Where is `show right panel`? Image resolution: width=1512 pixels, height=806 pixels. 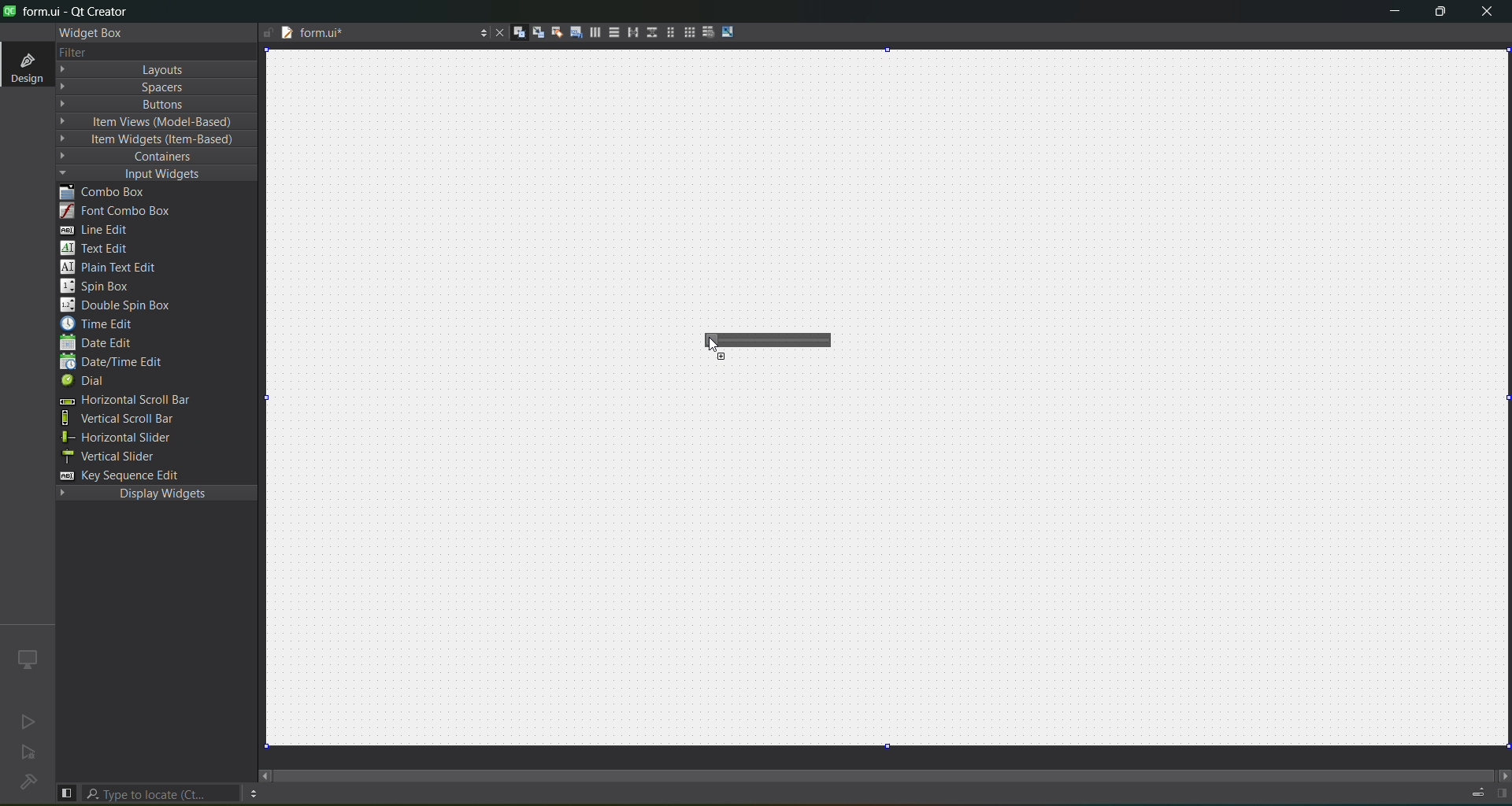 show right panel is located at coordinates (1503, 790).